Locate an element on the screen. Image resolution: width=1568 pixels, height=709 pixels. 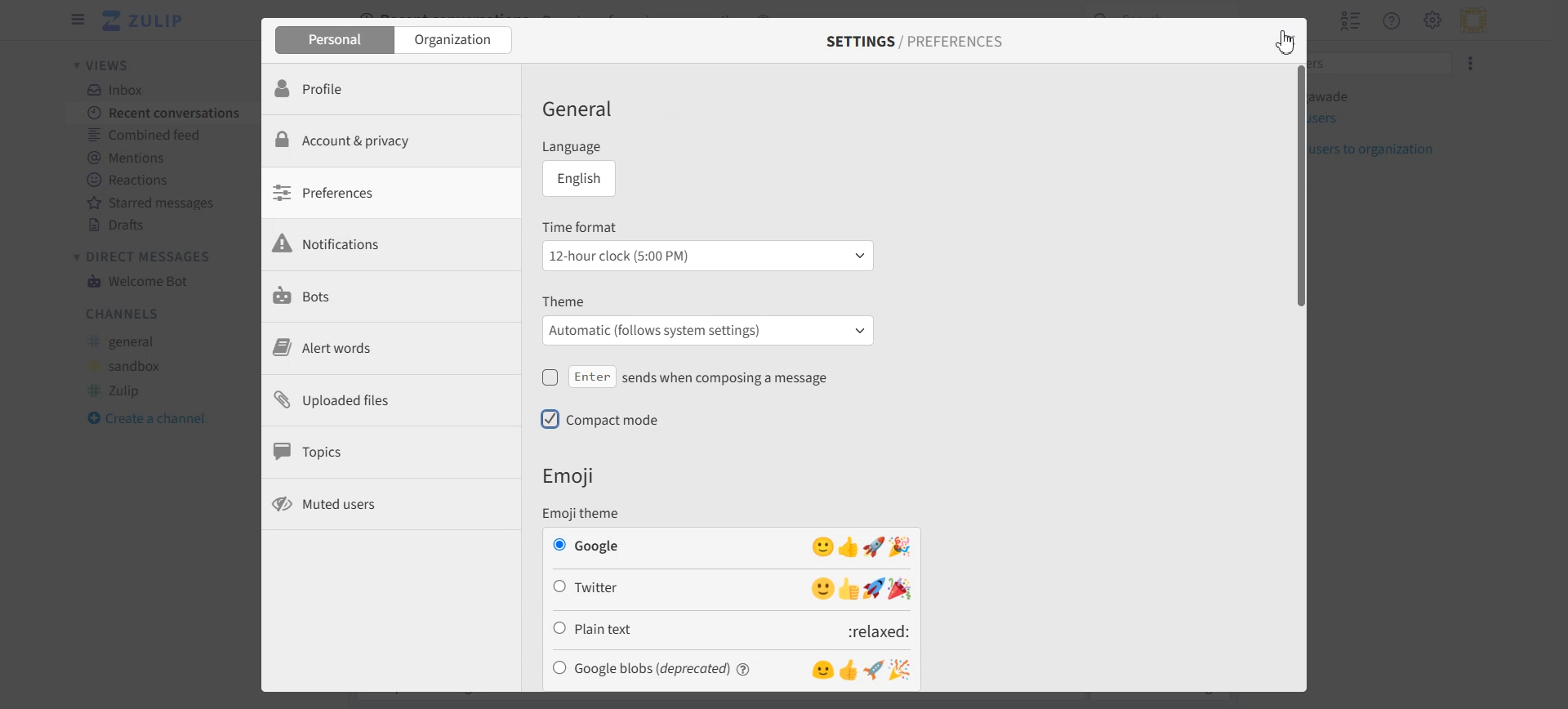
Settings / Preferences is located at coordinates (915, 43).